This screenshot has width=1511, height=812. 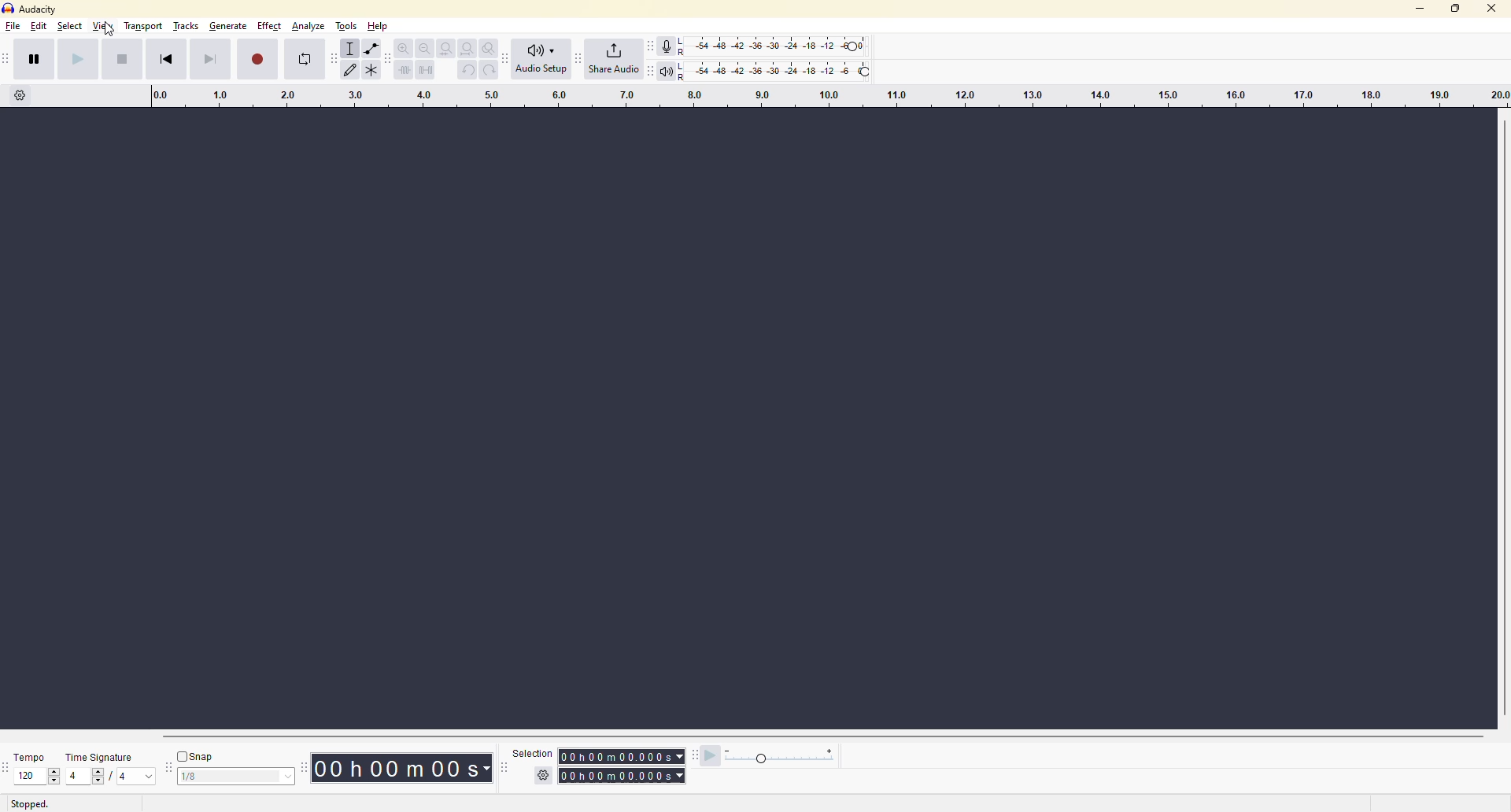 What do you see at coordinates (8, 61) in the screenshot?
I see `audacity transport toolbar` at bounding box center [8, 61].